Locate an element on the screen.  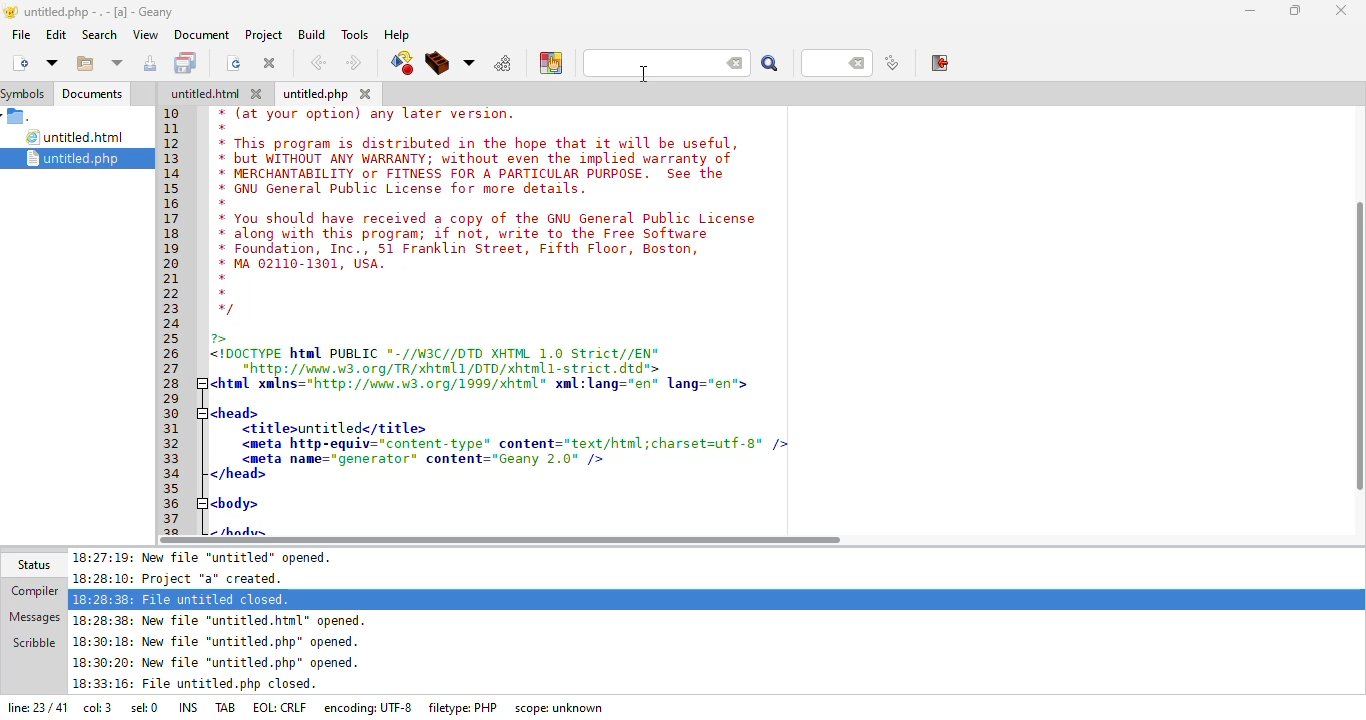
* but without any warranty; without even the implied warranty of is located at coordinates (478, 160).